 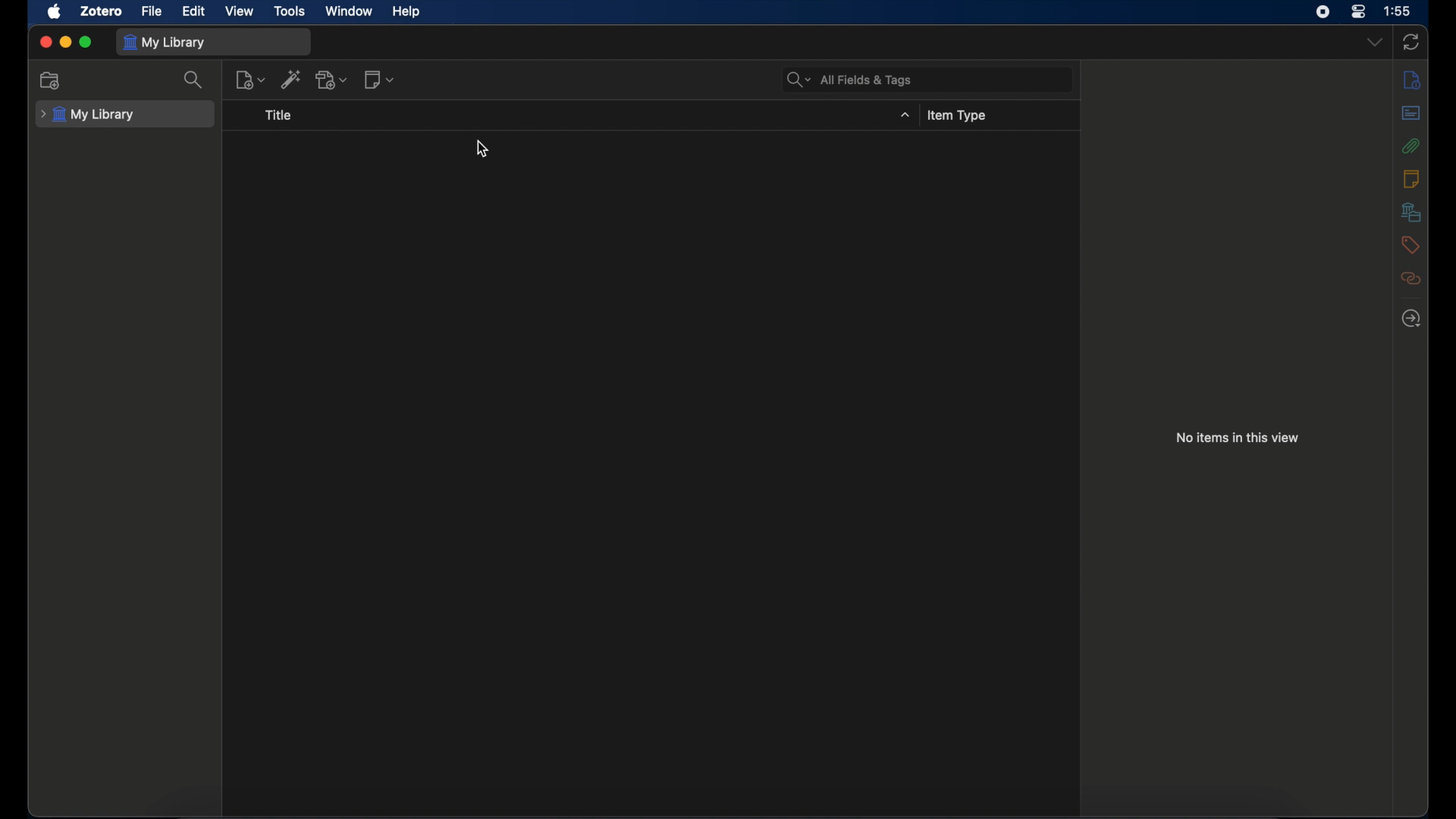 What do you see at coordinates (379, 80) in the screenshot?
I see `new note` at bounding box center [379, 80].